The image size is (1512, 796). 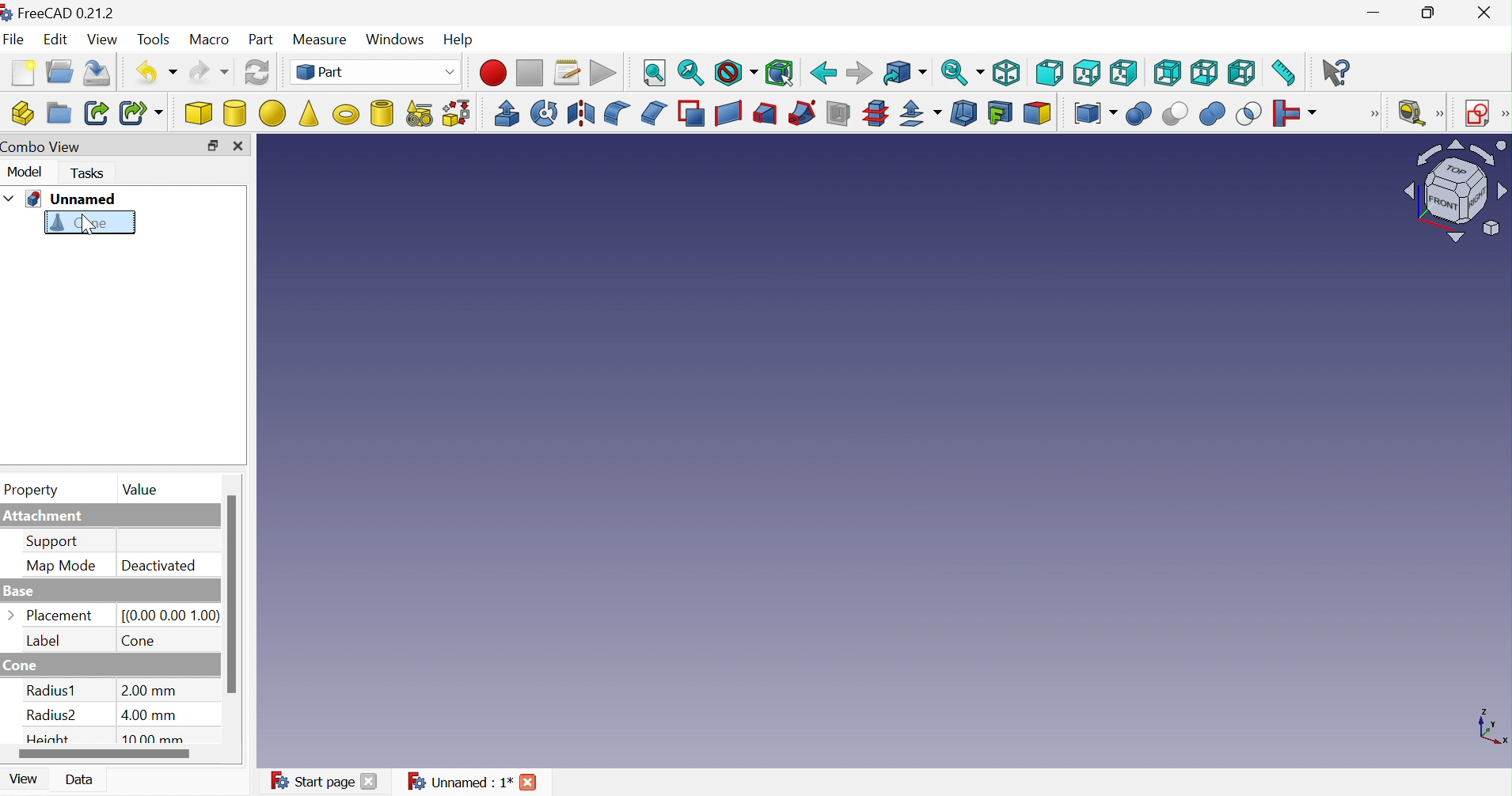 What do you see at coordinates (63, 615) in the screenshot?
I see `Placement` at bounding box center [63, 615].